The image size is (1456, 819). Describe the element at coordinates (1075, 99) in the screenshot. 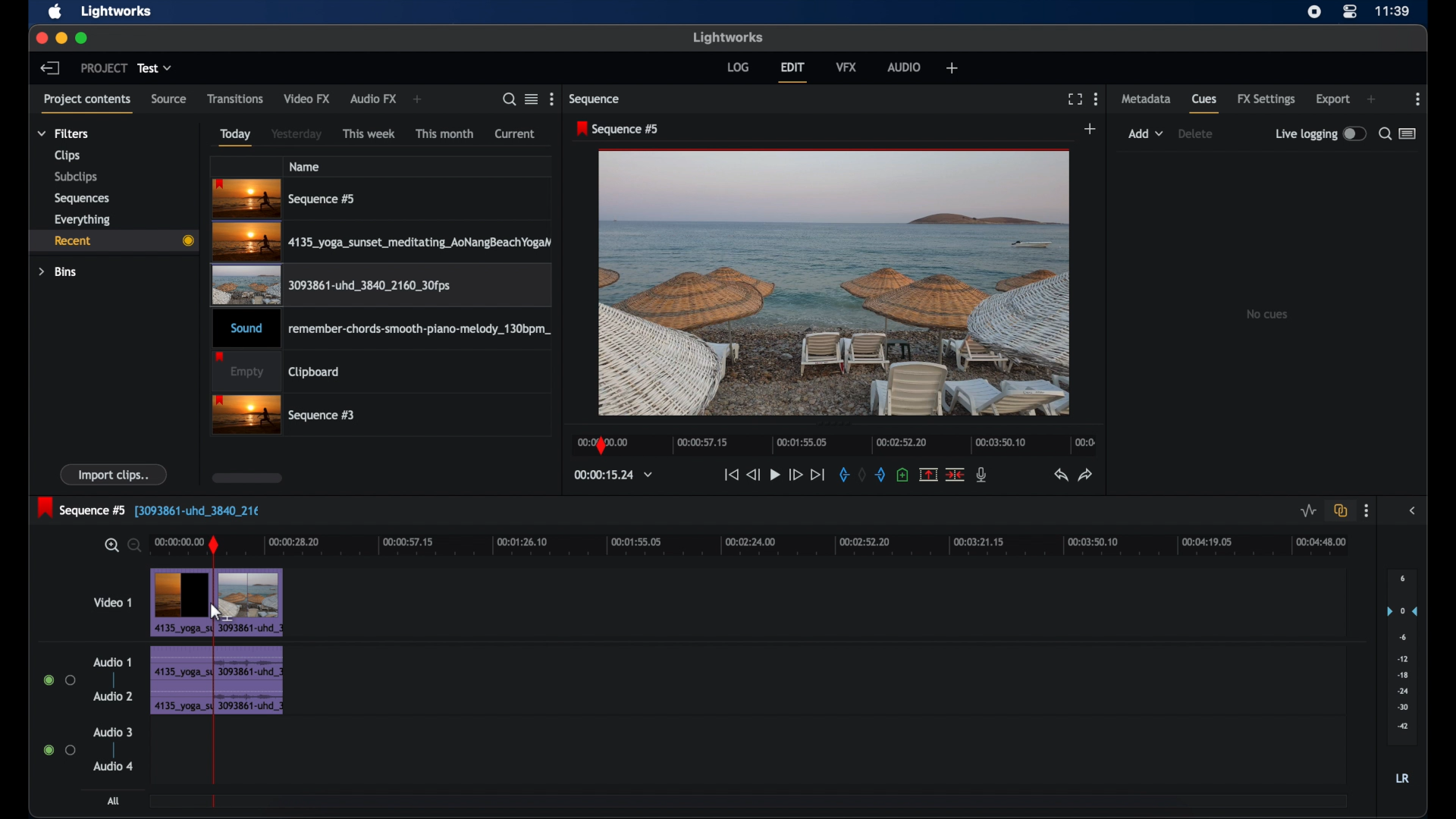

I see `full screen` at that location.